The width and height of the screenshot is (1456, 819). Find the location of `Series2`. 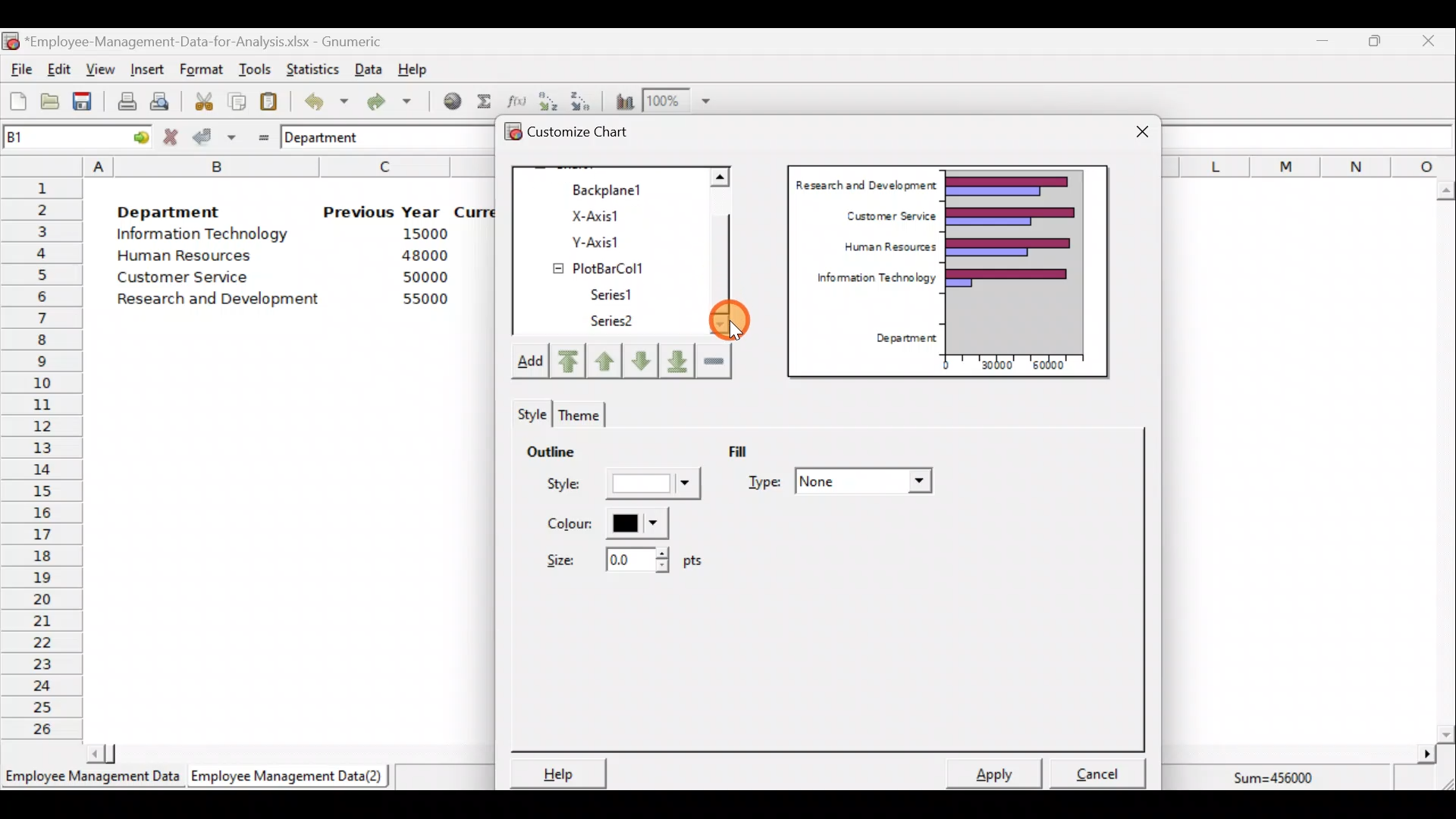

Series2 is located at coordinates (615, 322).